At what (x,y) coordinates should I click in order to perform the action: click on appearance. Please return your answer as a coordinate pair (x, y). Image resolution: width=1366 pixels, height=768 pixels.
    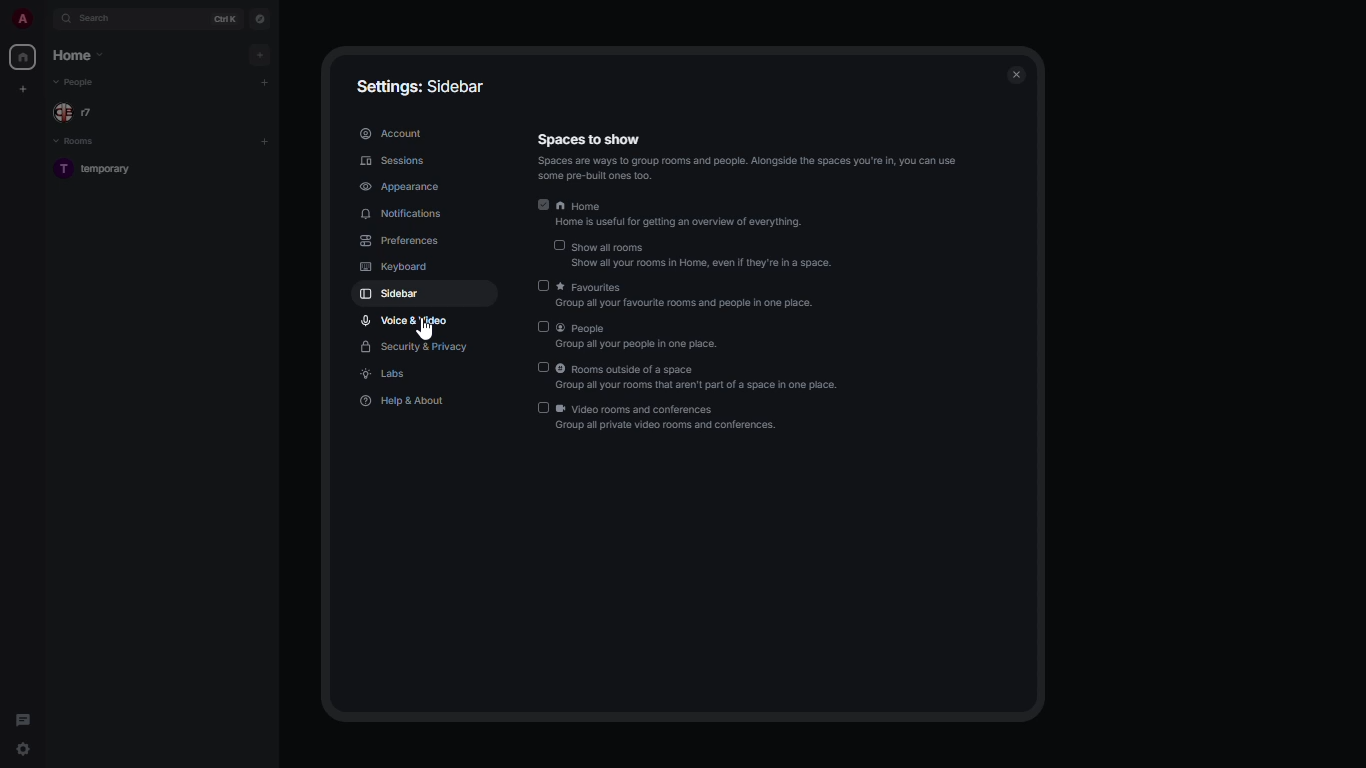
    Looking at the image, I should click on (403, 186).